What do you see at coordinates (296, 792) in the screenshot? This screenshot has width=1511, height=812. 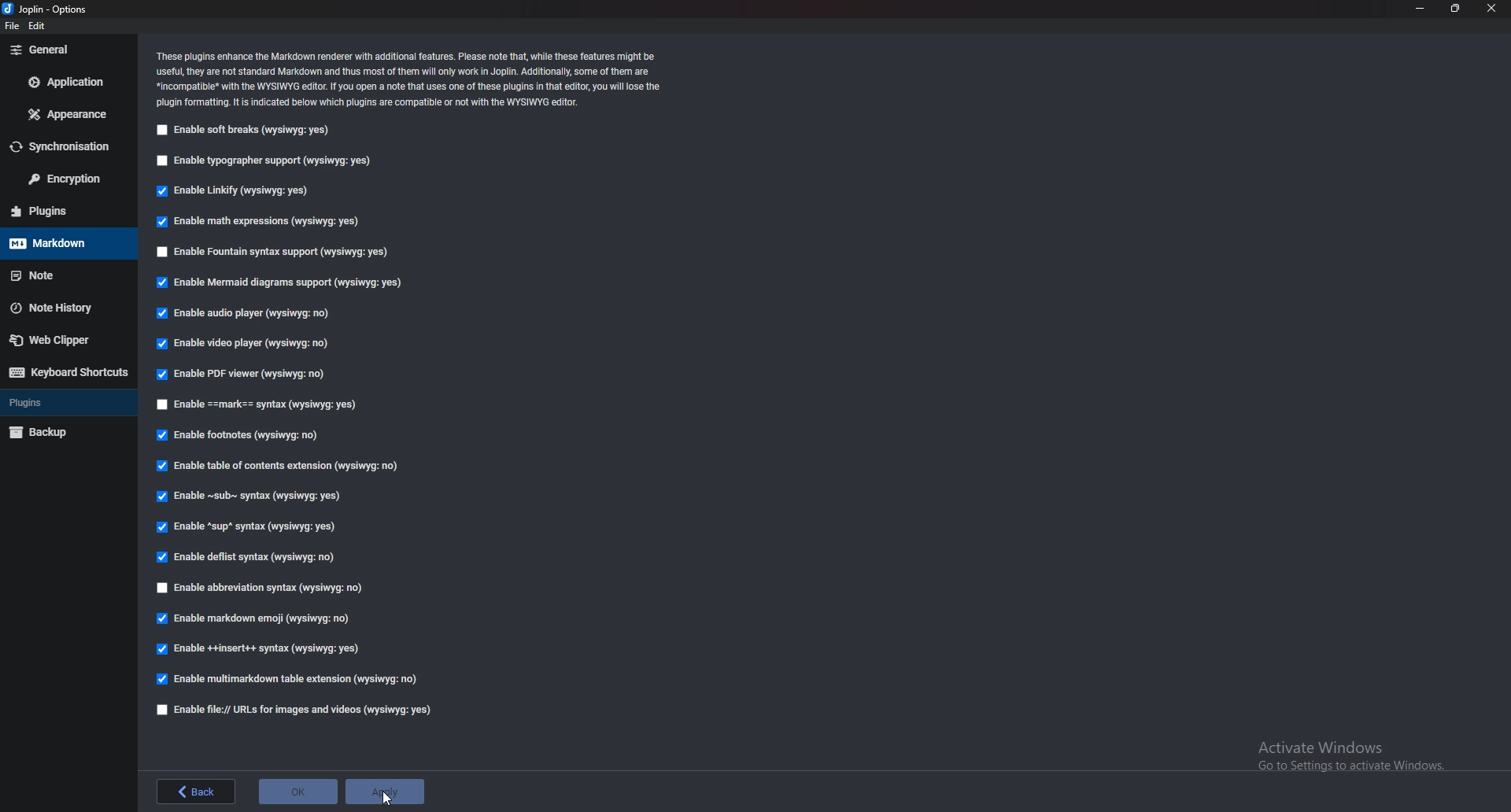 I see `ok` at bounding box center [296, 792].